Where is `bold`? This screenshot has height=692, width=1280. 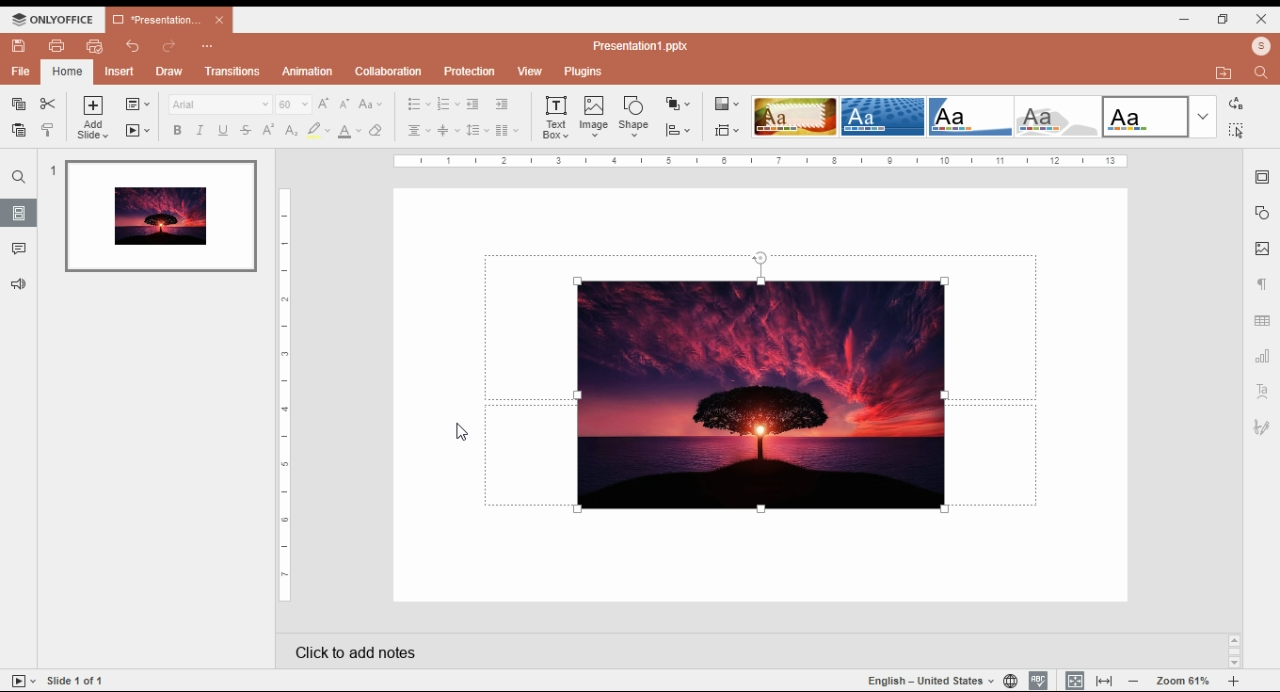 bold is located at coordinates (177, 129).